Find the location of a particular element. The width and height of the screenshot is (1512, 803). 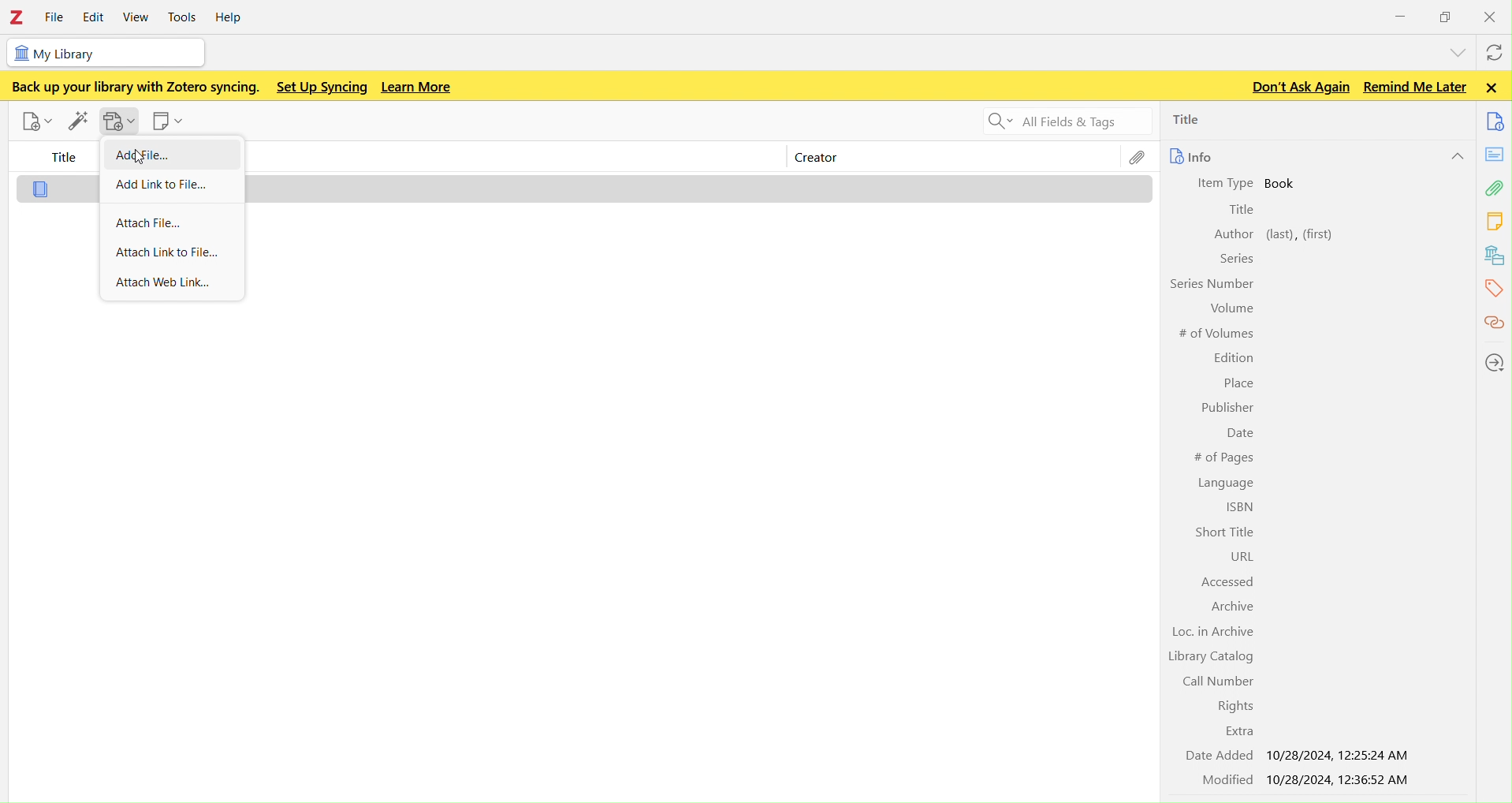

Set up syncing is located at coordinates (322, 88).